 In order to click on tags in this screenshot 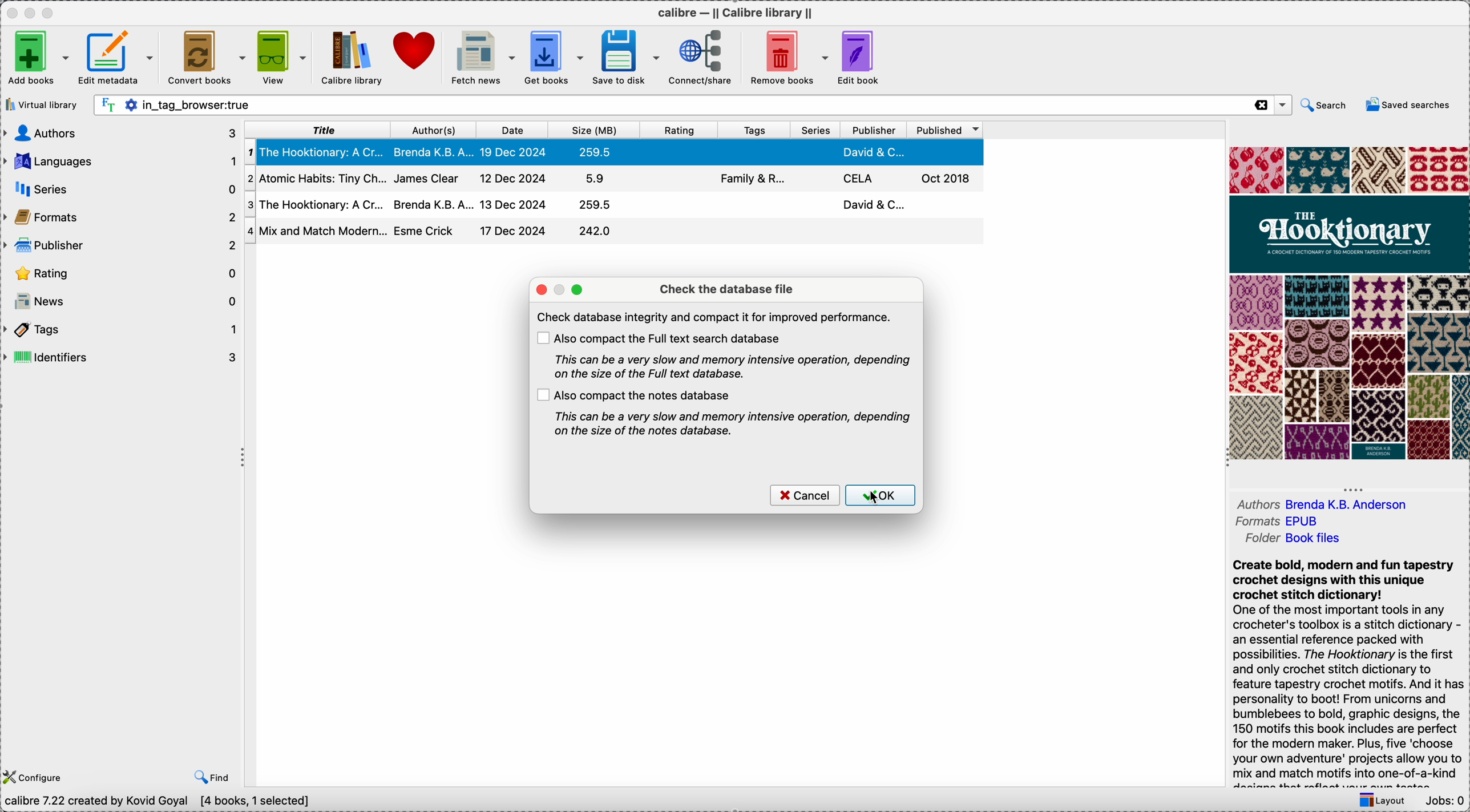, I will do `click(122, 329)`.